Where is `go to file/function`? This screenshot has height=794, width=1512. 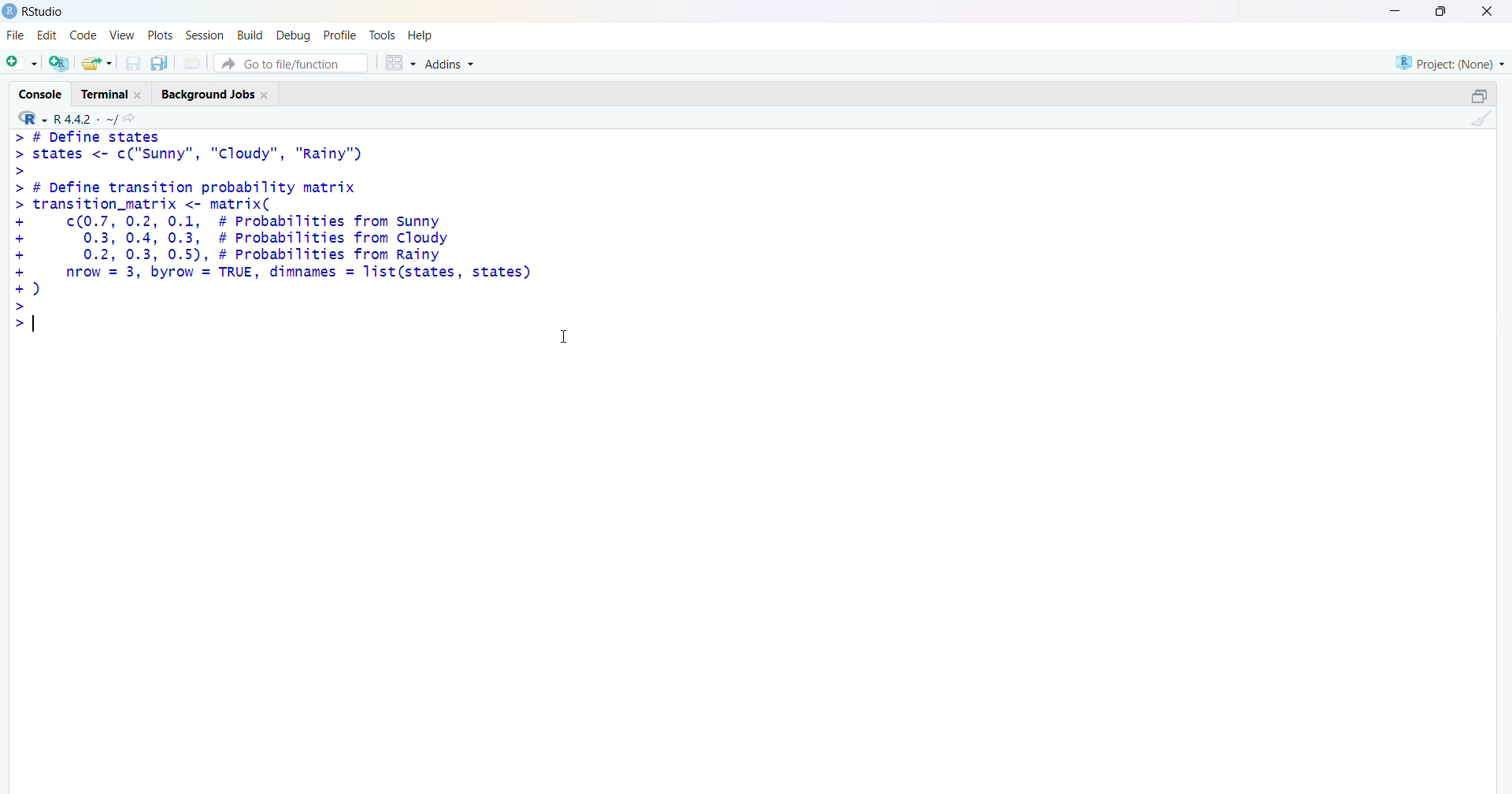 go to file/function is located at coordinates (290, 64).